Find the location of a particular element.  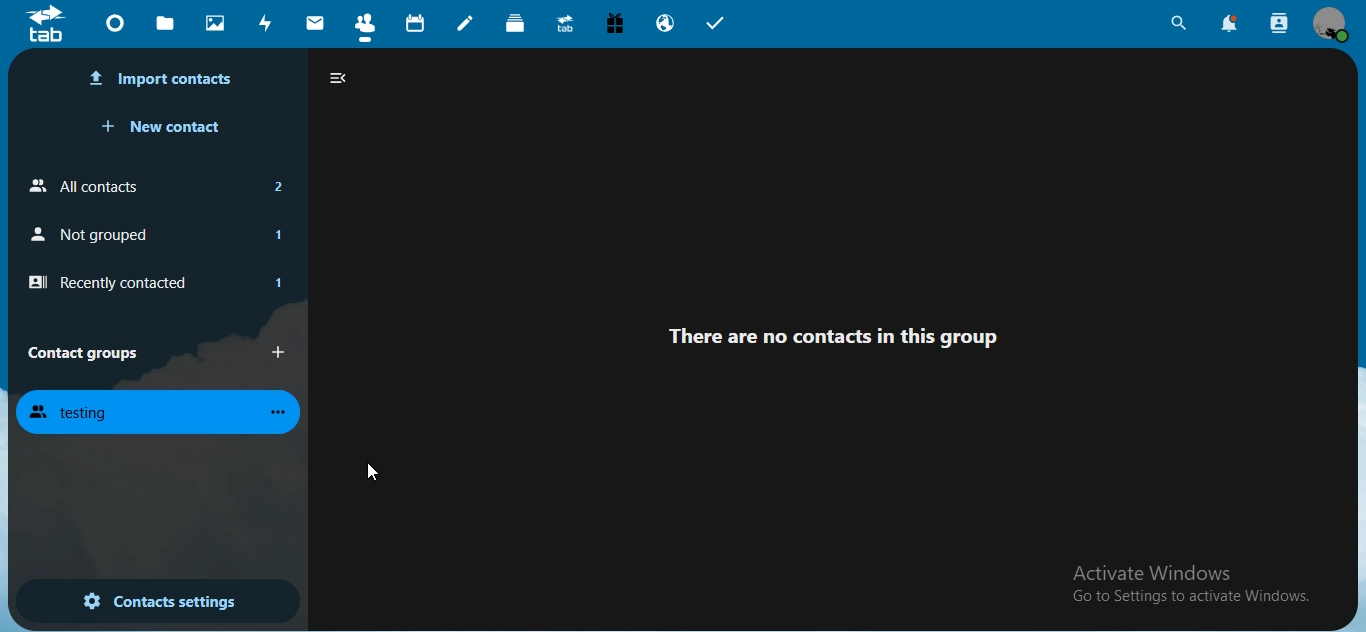

search contact is located at coordinates (1280, 24).